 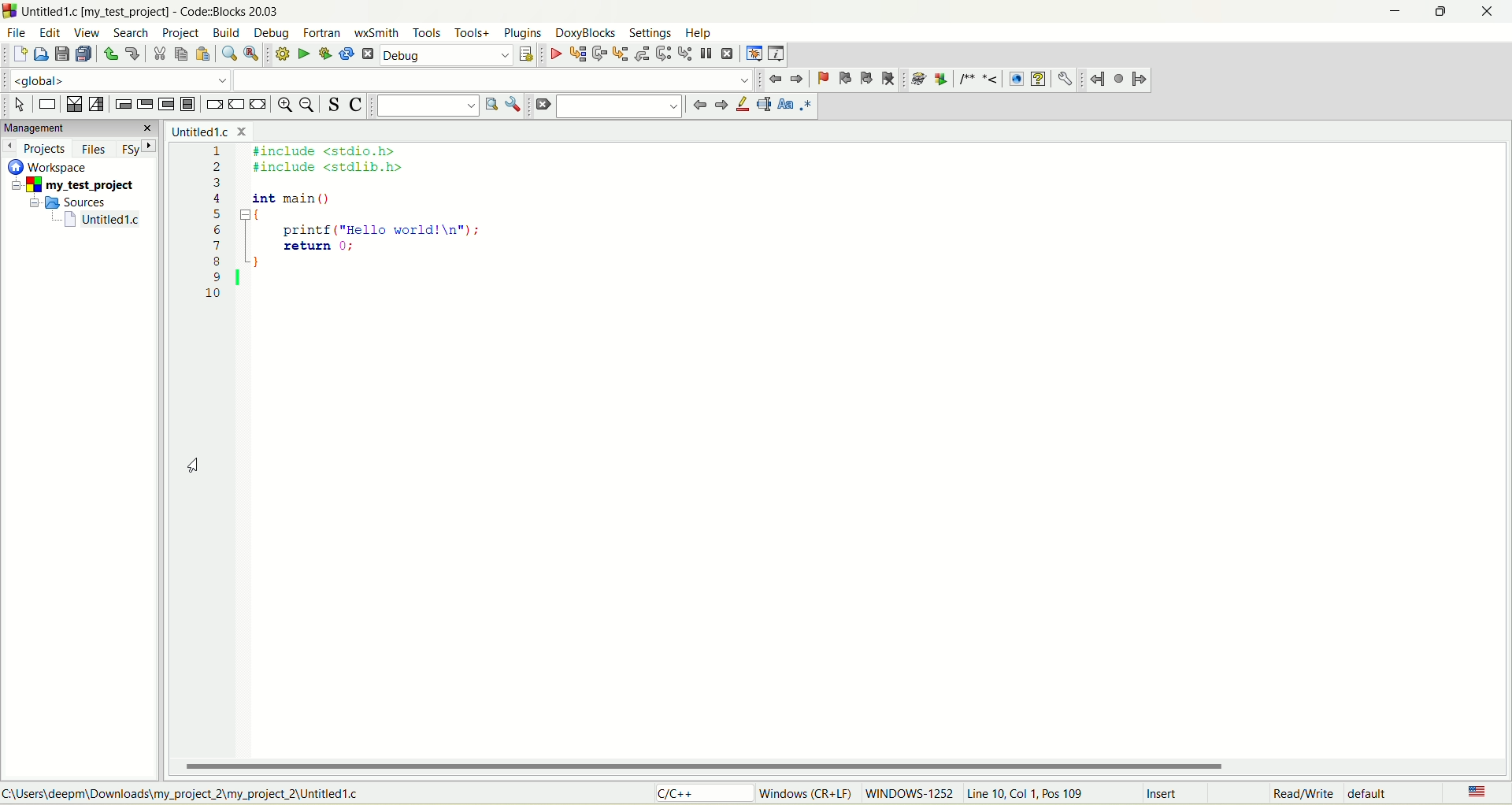 I want to click on C:\Users\deepm\Downloads\my_project_2\my_project_2\Untitled1.c, so click(x=190, y=792).